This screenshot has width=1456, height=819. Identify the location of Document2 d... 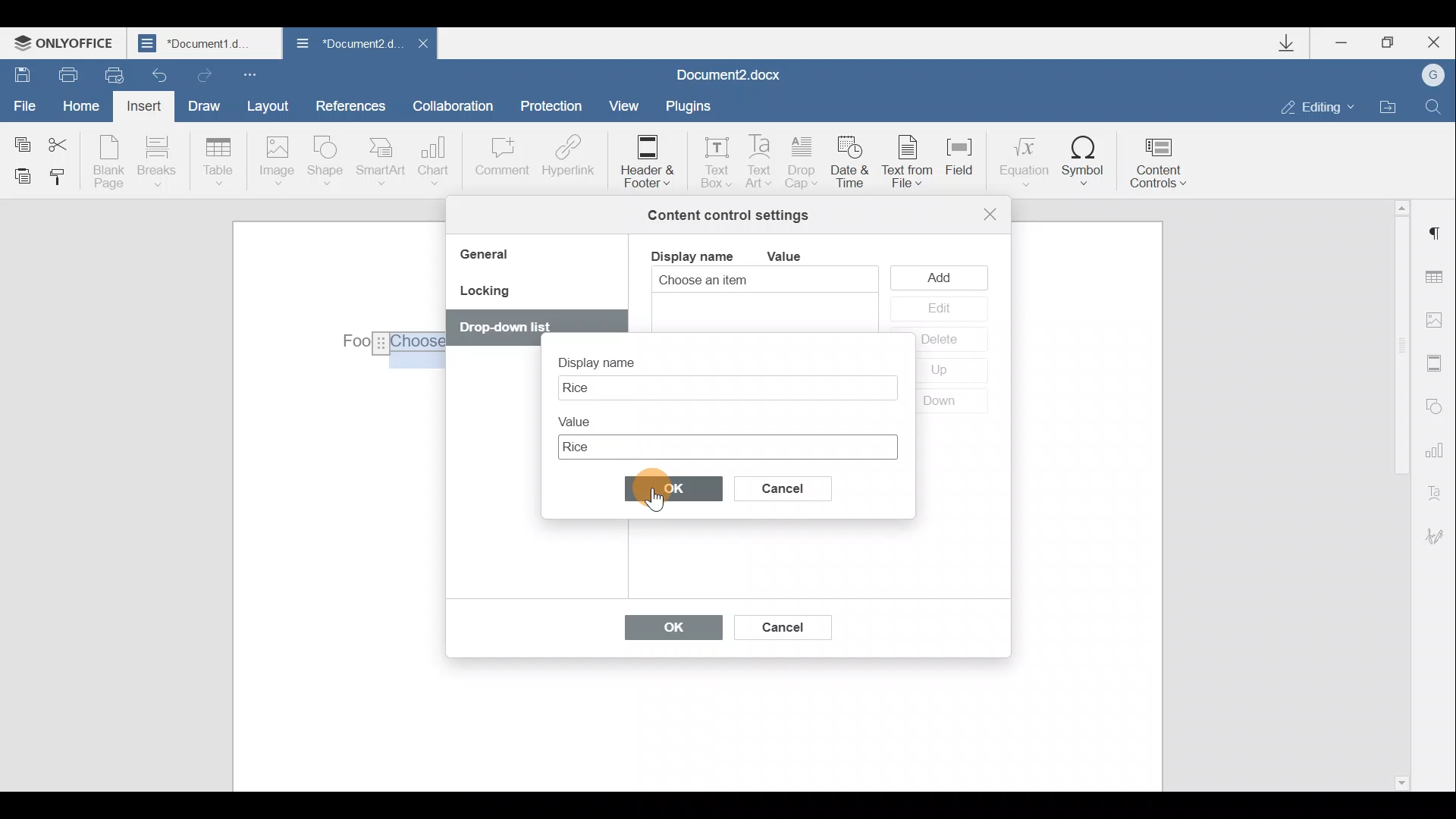
(347, 46).